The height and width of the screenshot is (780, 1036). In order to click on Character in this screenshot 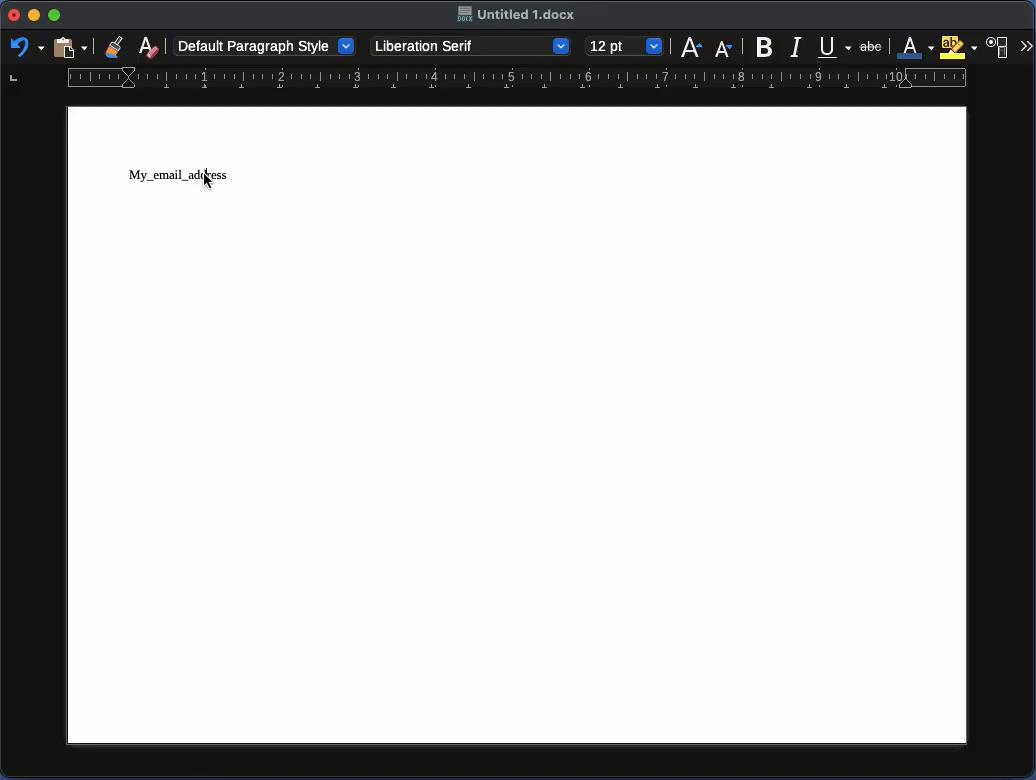, I will do `click(1000, 45)`.